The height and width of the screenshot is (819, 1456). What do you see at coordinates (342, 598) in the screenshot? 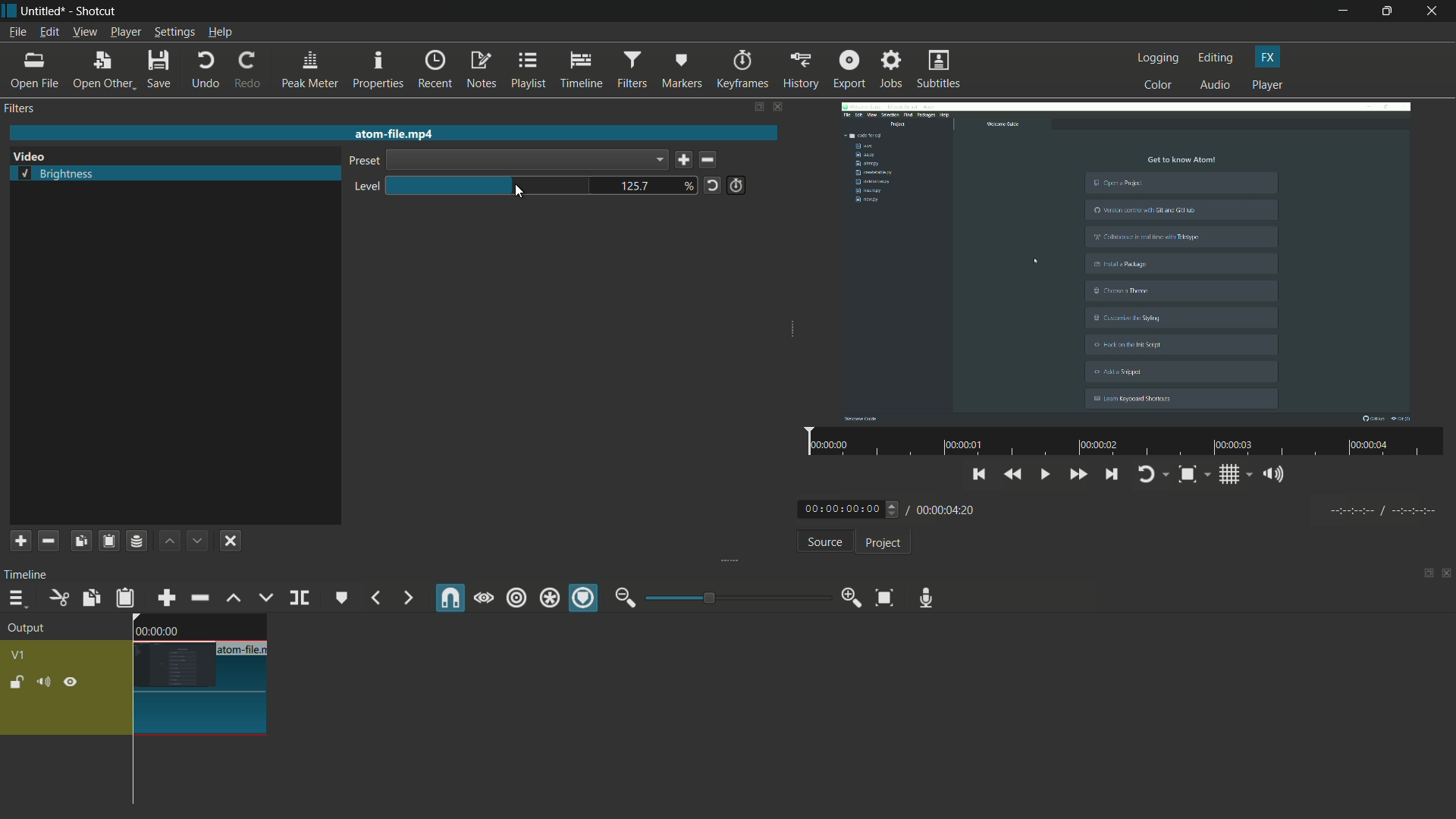
I see `create/edit marker` at bounding box center [342, 598].